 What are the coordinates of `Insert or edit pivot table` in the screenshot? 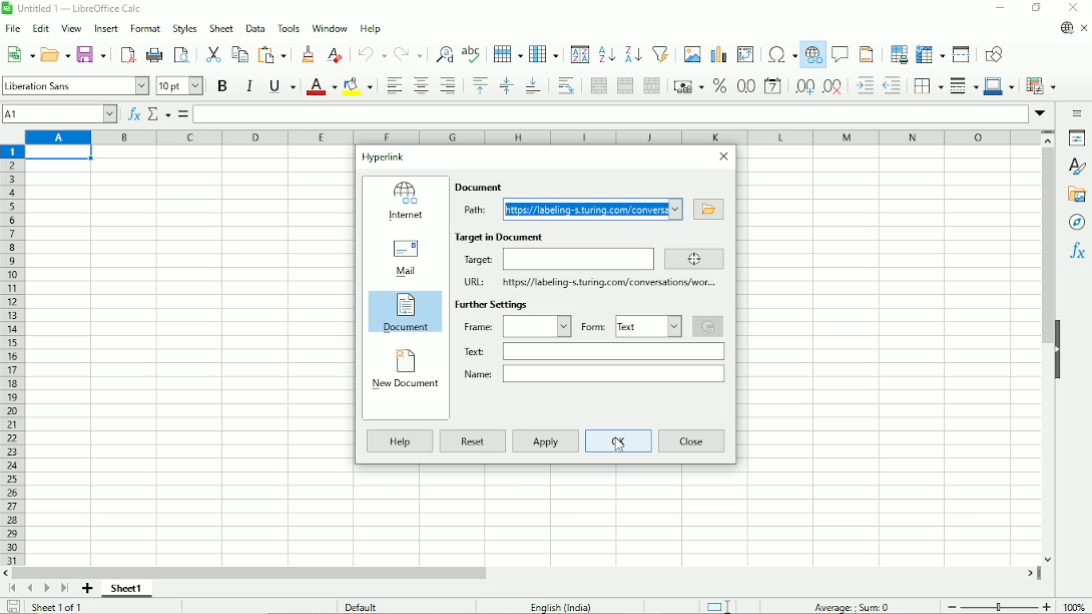 It's located at (745, 55).